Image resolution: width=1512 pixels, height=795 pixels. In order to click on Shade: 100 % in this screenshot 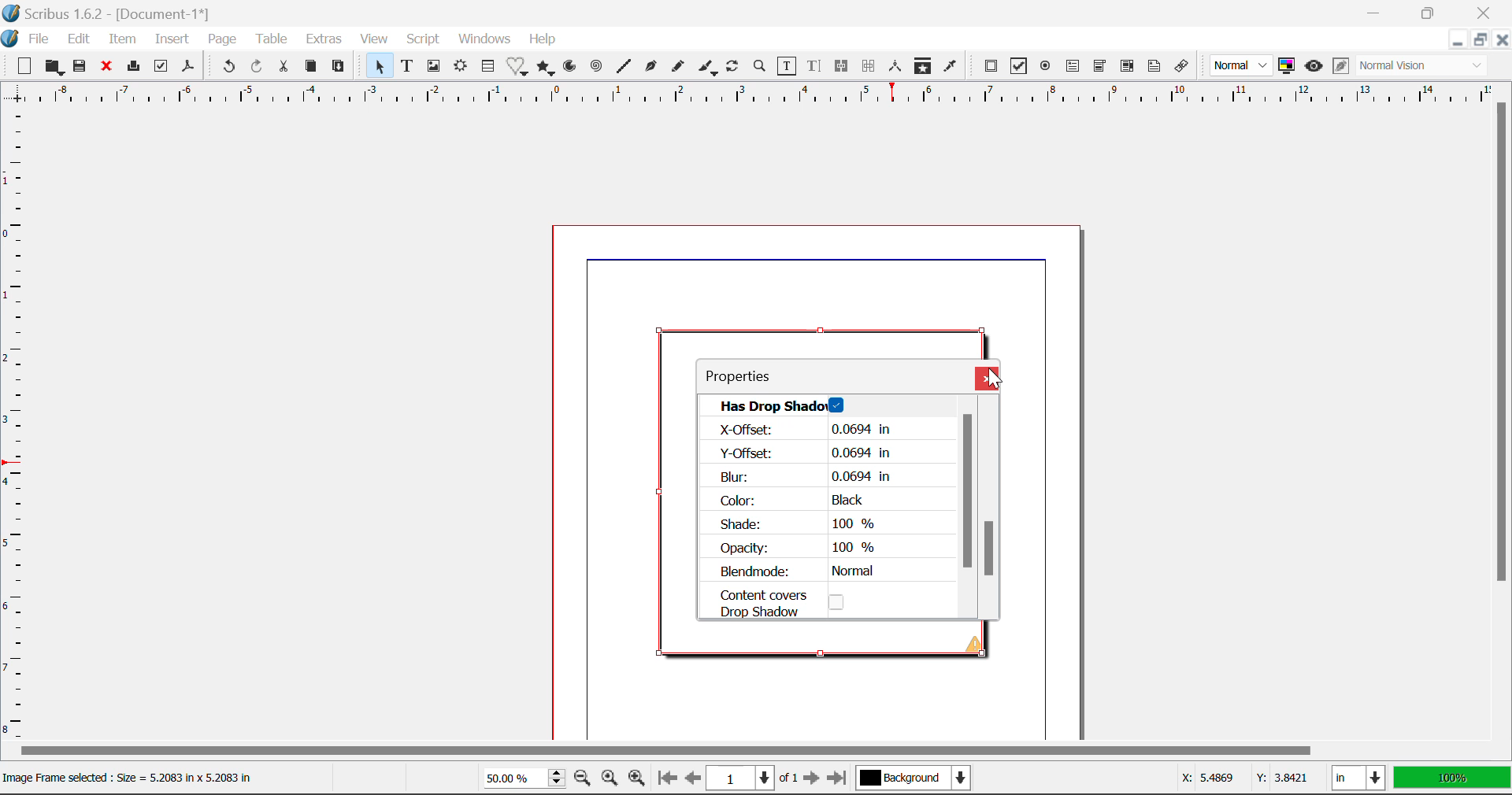, I will do `click(799, 524)`.